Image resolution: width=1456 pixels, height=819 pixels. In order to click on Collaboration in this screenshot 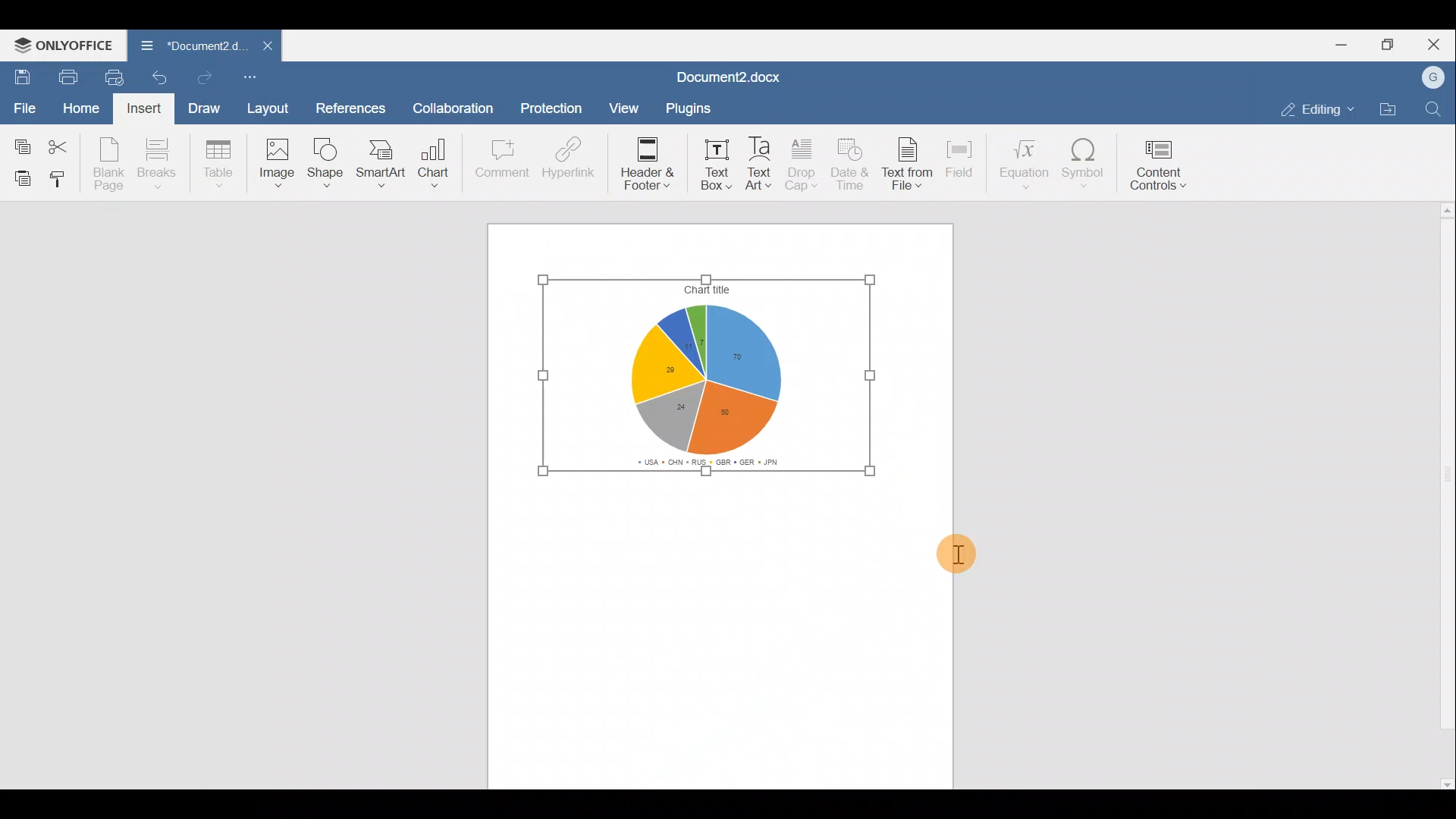, I will do `click(450, 107)`.